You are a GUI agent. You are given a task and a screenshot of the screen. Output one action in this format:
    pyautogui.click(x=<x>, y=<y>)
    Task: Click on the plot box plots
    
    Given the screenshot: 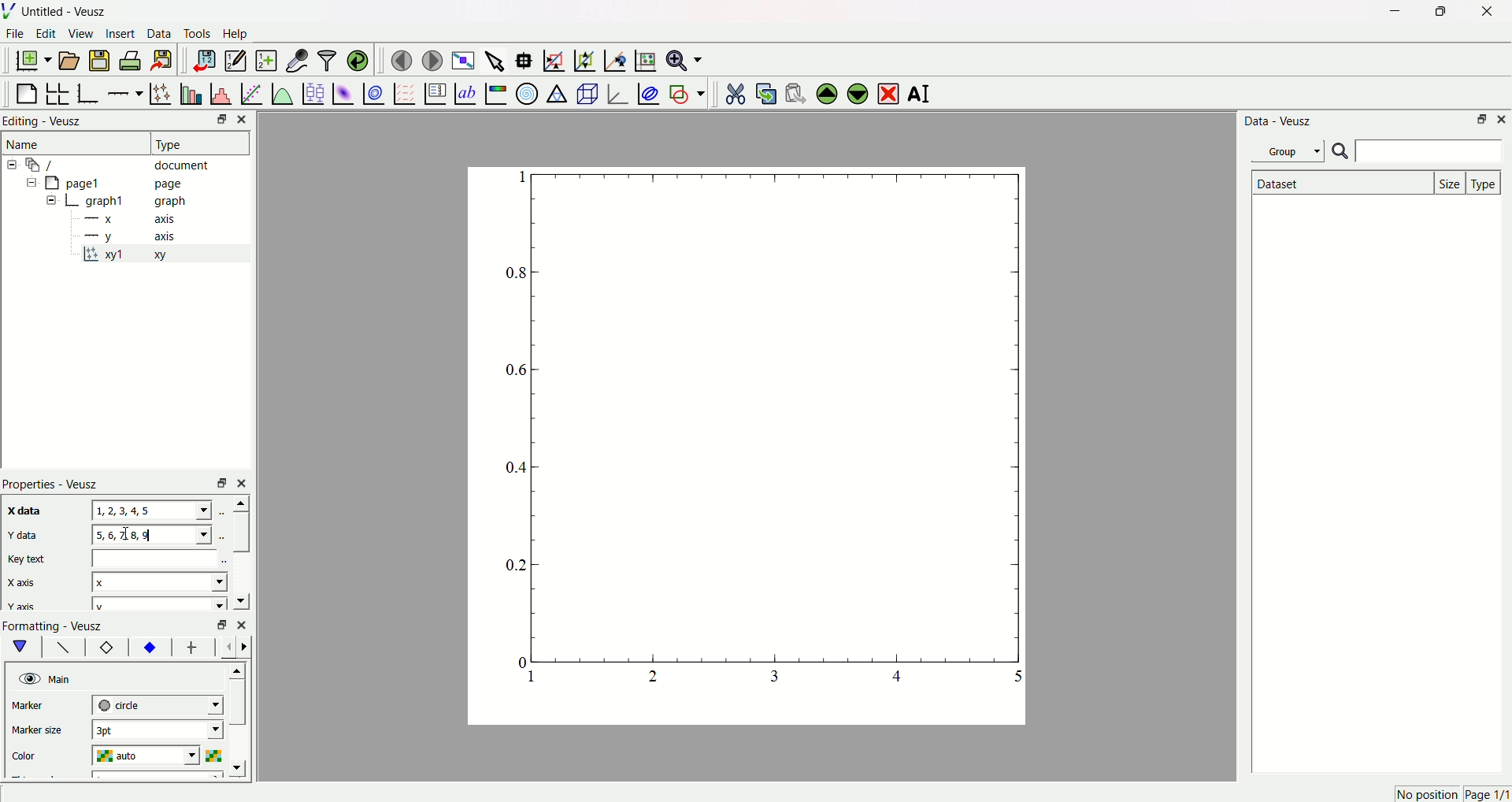 What is the action you would take?
    pyautogui.click(x=313, y=91)
    